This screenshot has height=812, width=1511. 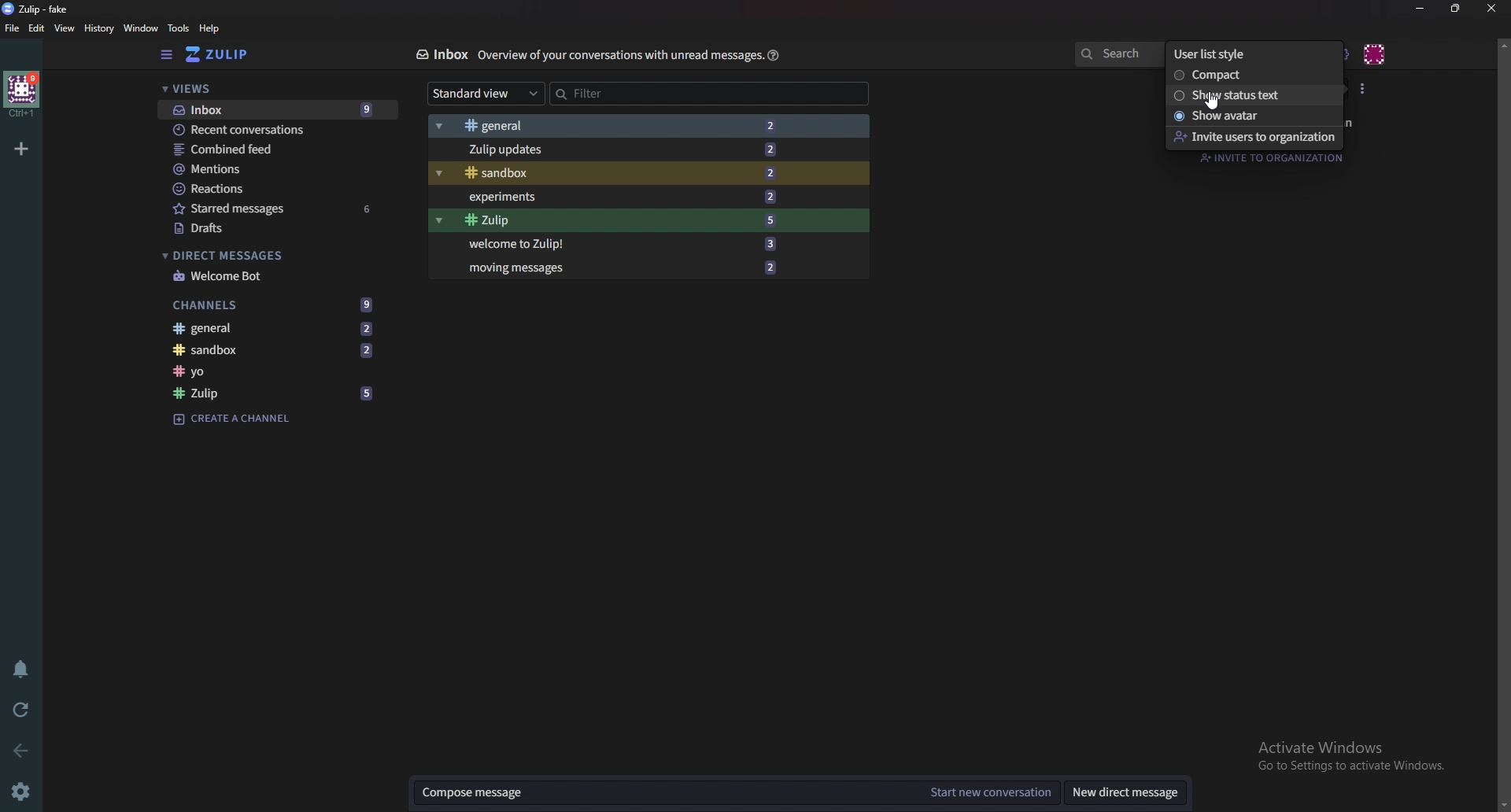 What do you see at coordinates (664, 792) in the screenshot?
I see `Compose message` at bounding box center [664, 792].